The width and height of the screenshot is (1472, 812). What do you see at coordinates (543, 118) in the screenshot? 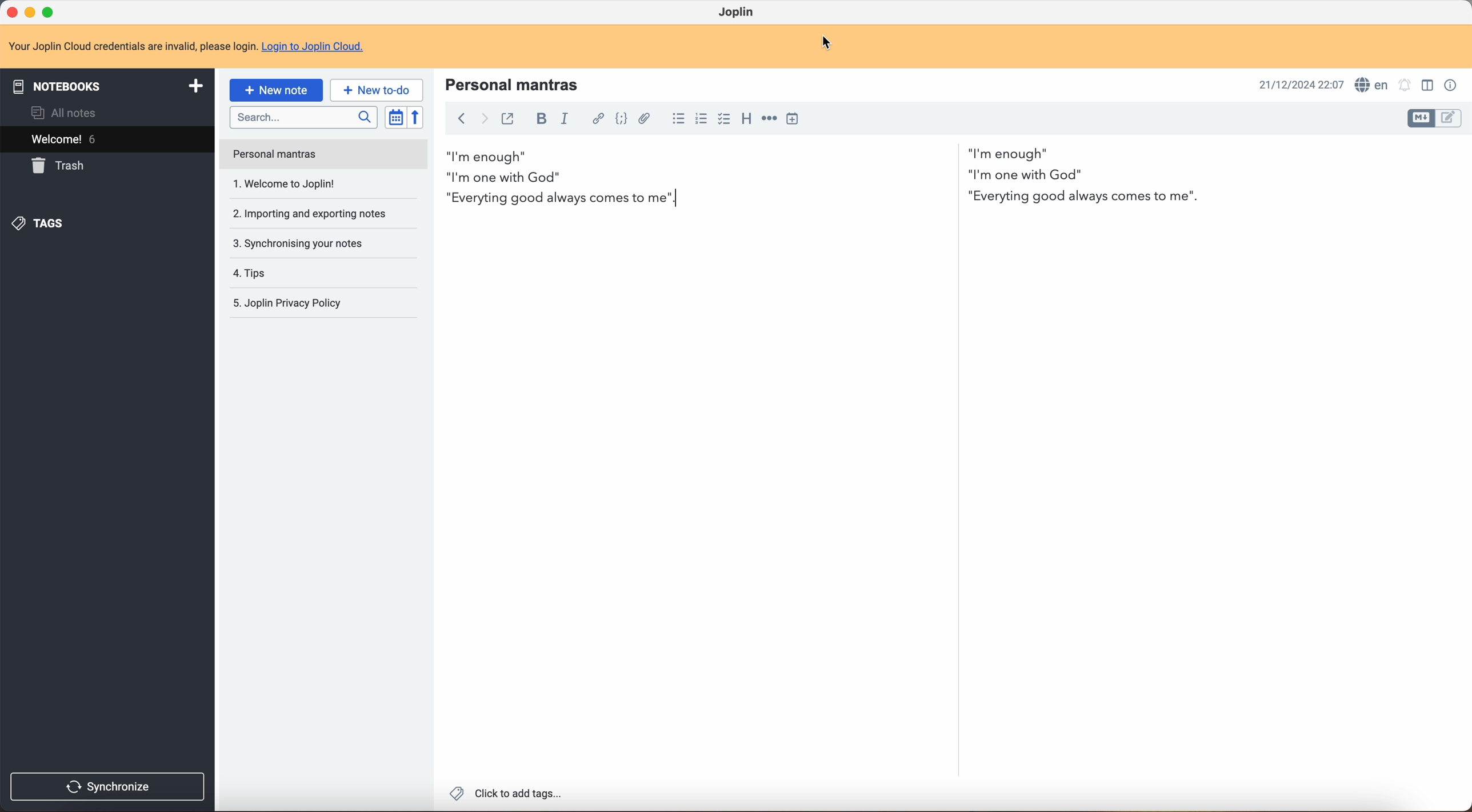
I see `bold` at bounding box center [543, 118].